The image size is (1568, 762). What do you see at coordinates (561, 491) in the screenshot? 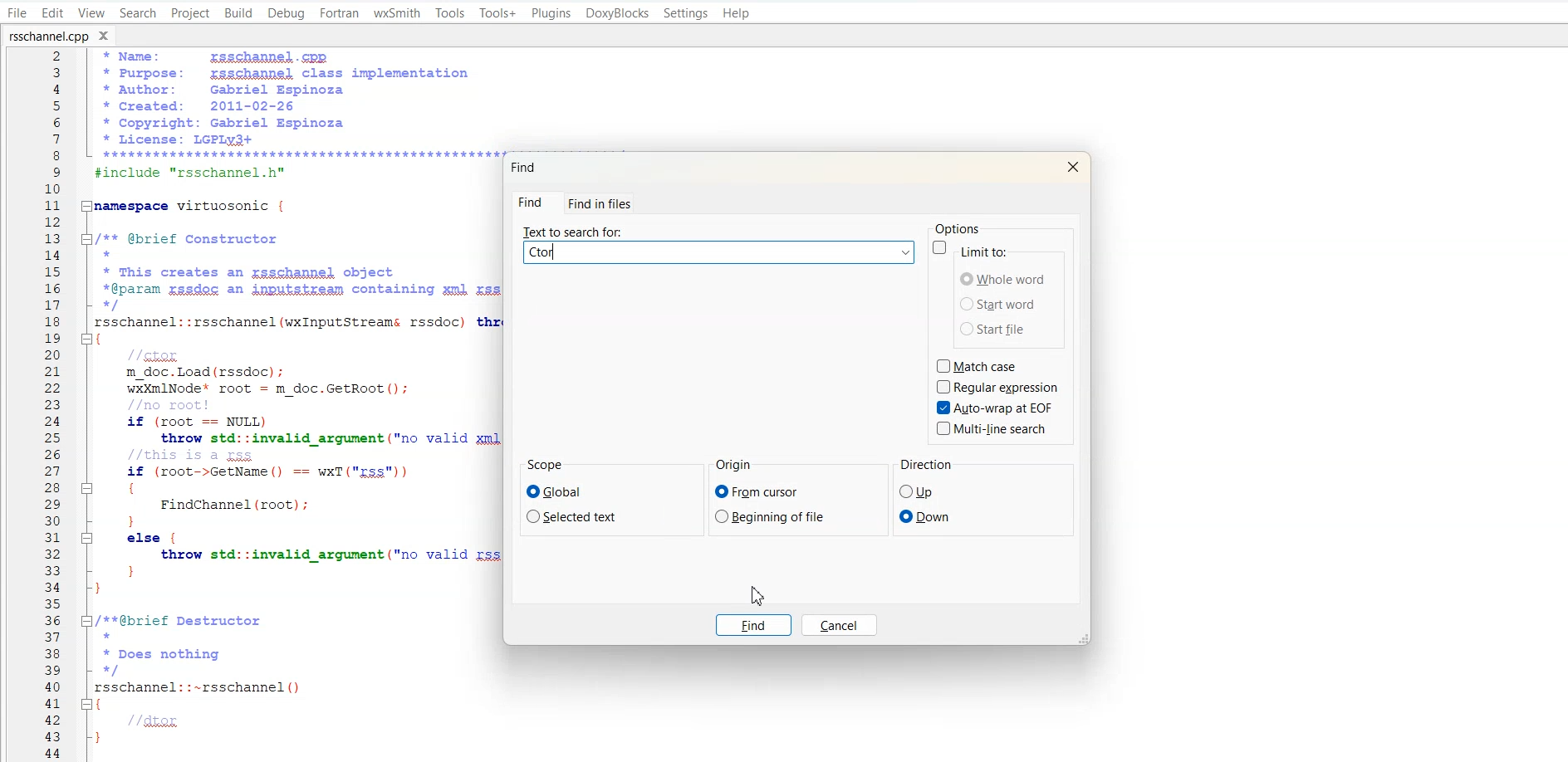
I see `Global` at bounding box center [561, 491].